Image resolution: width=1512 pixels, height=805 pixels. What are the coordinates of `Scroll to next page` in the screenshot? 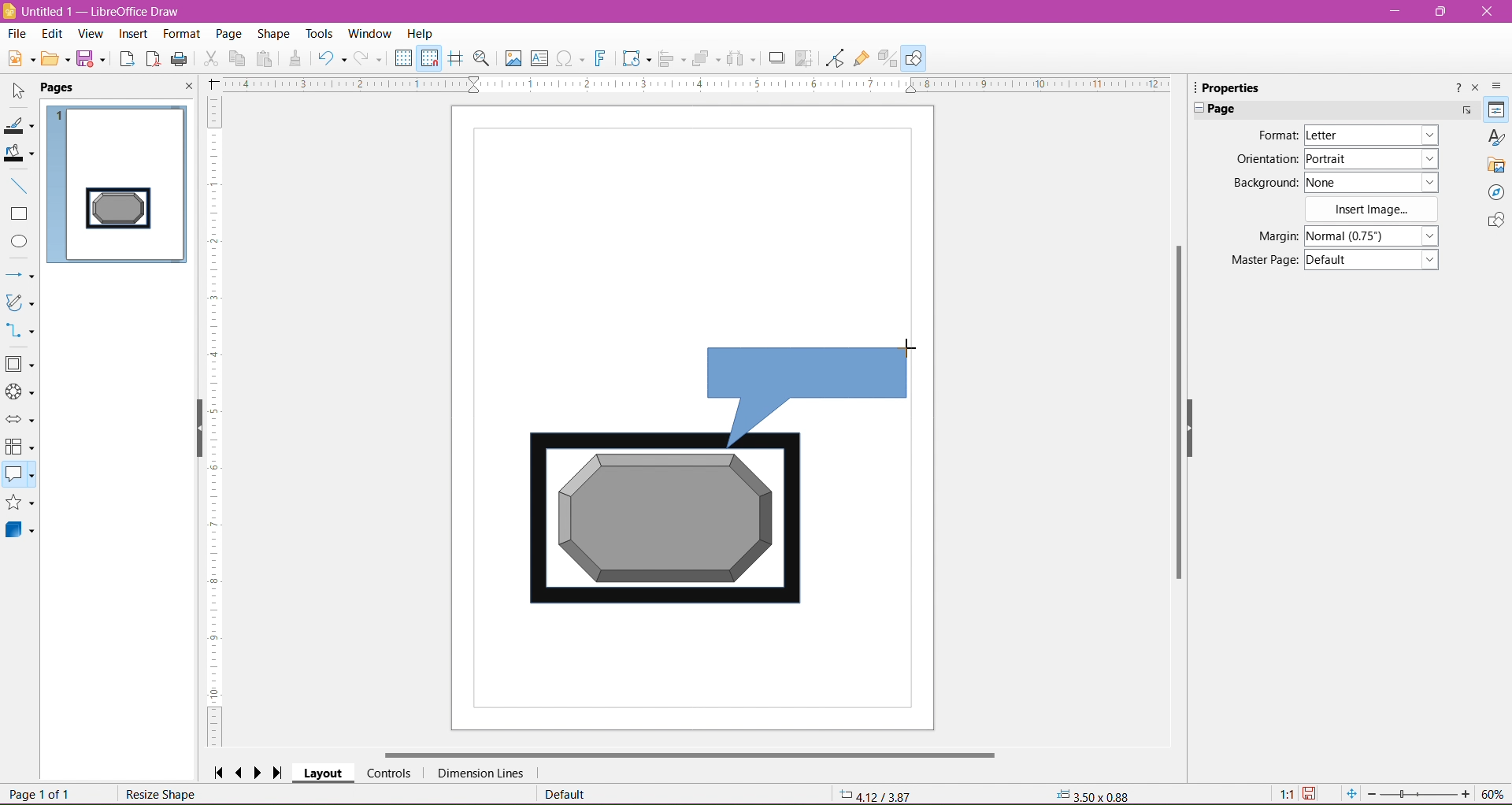 It's located at (261, 772).